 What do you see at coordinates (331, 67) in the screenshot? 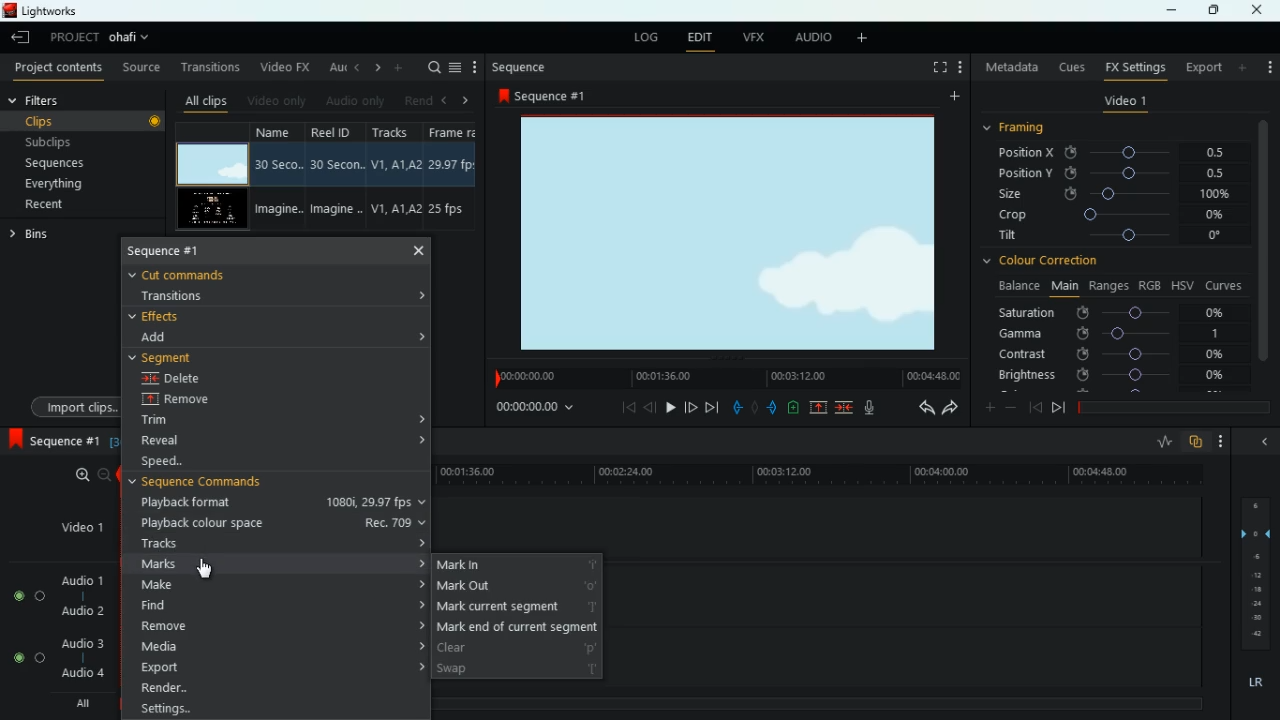
I see `au` at bounding box center [331, 67].